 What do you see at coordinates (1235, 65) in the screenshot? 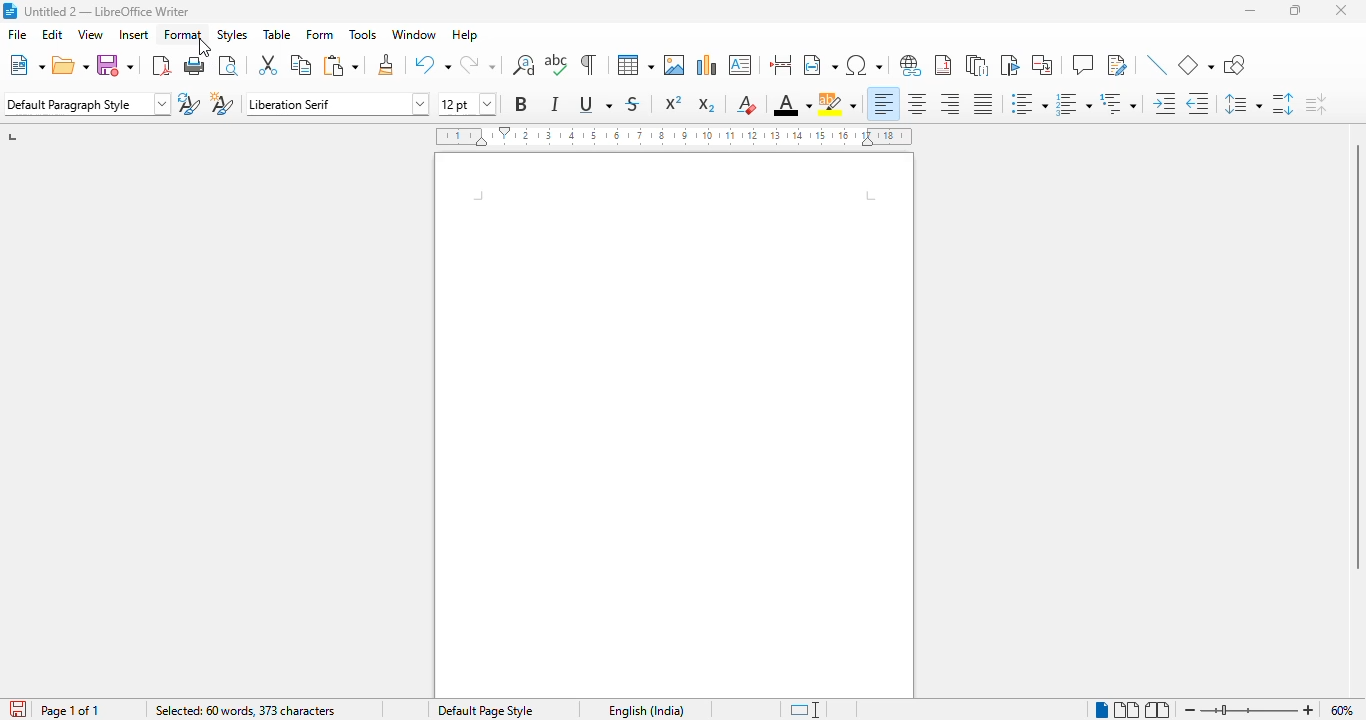
I see `show draw functions` at bounding box center [1235, 65].